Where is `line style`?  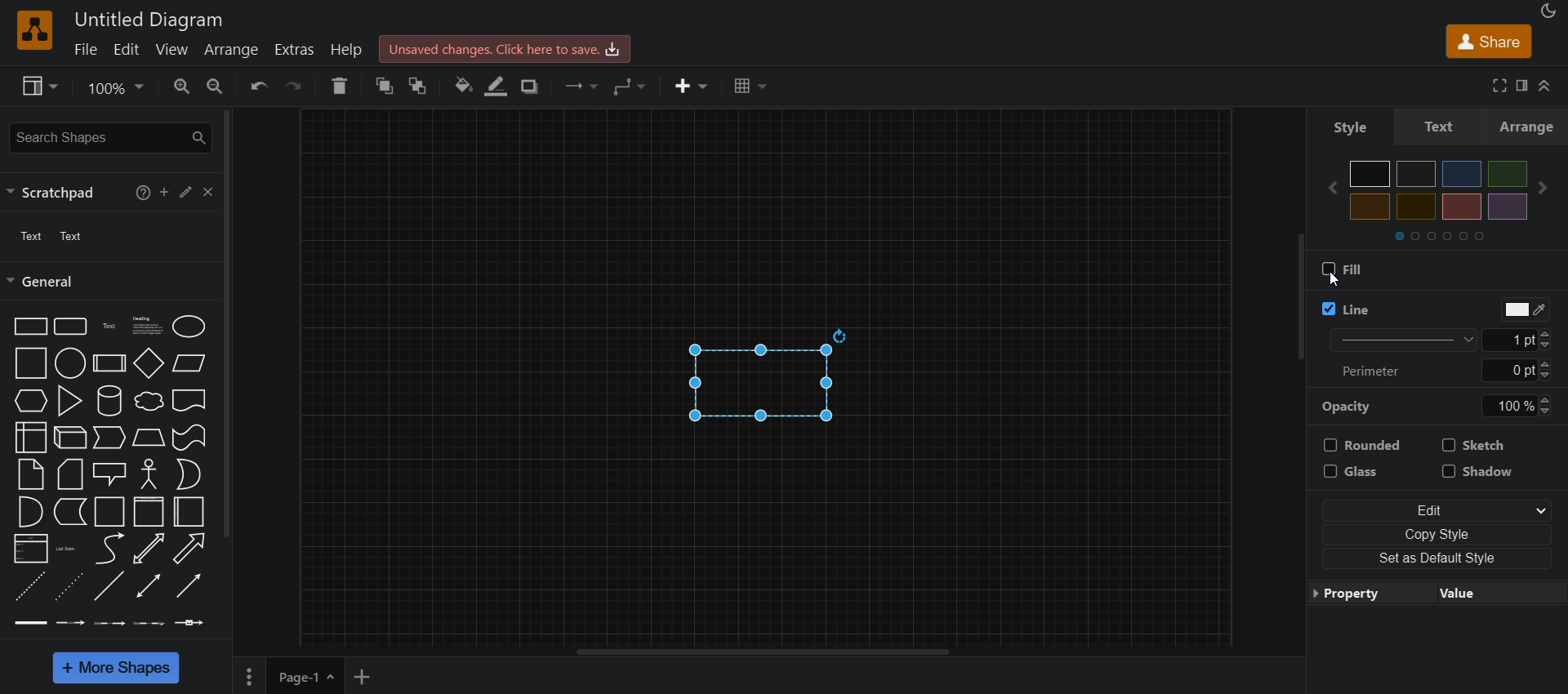 line style is located at coordinates (1406, 339).